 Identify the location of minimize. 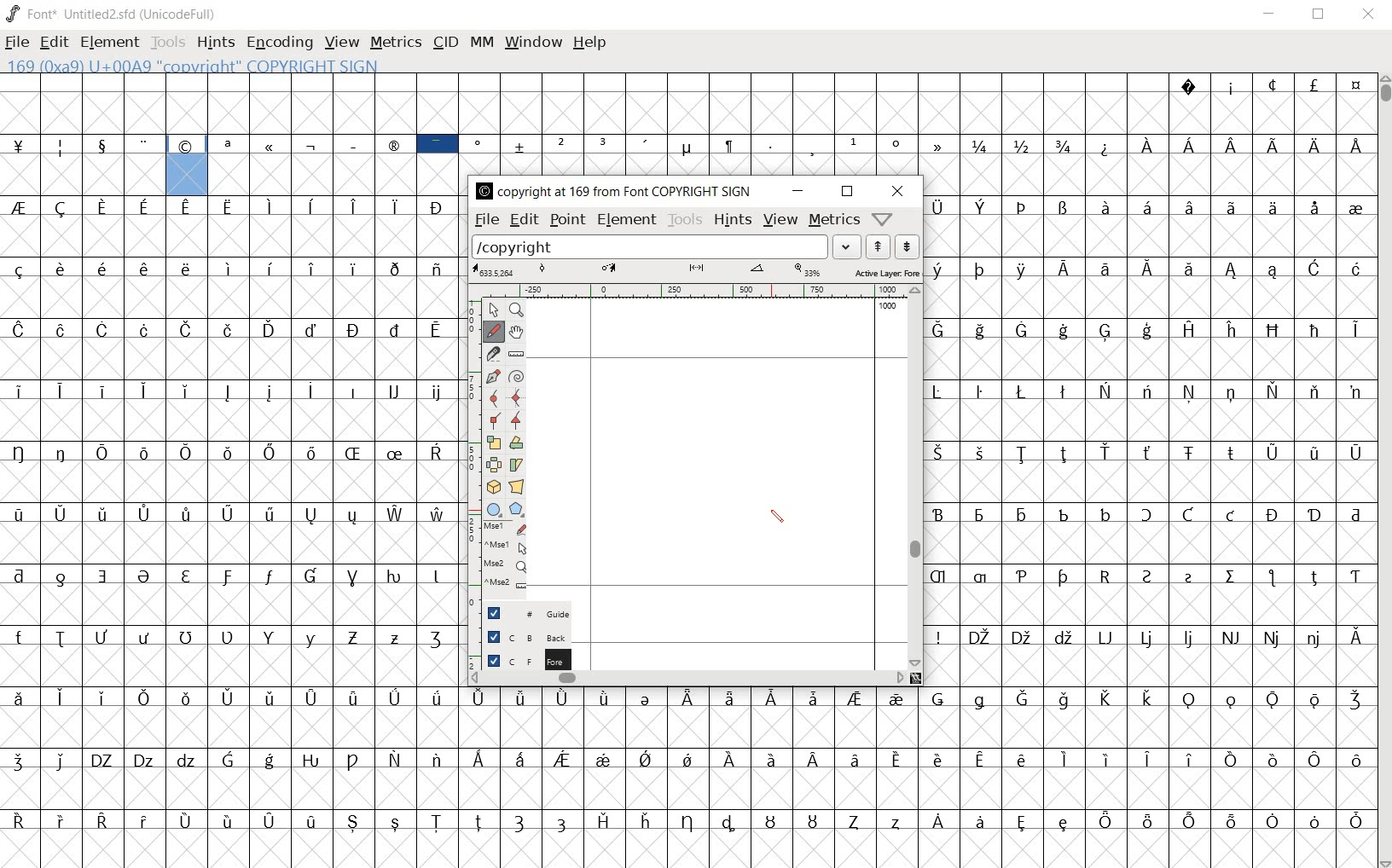
(797, 191).